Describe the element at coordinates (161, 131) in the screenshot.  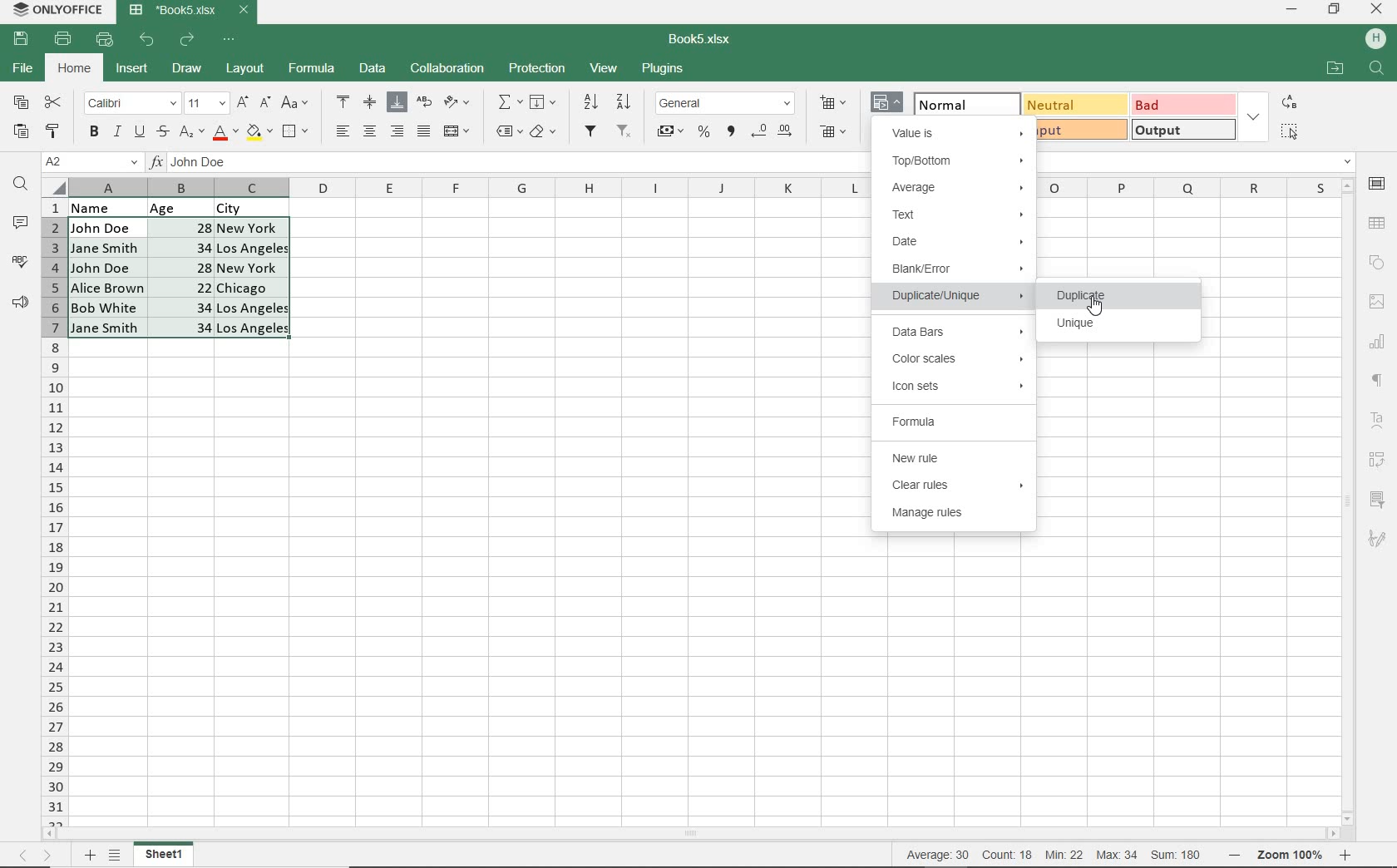
I see `STRIKETHROUGH` at that location.